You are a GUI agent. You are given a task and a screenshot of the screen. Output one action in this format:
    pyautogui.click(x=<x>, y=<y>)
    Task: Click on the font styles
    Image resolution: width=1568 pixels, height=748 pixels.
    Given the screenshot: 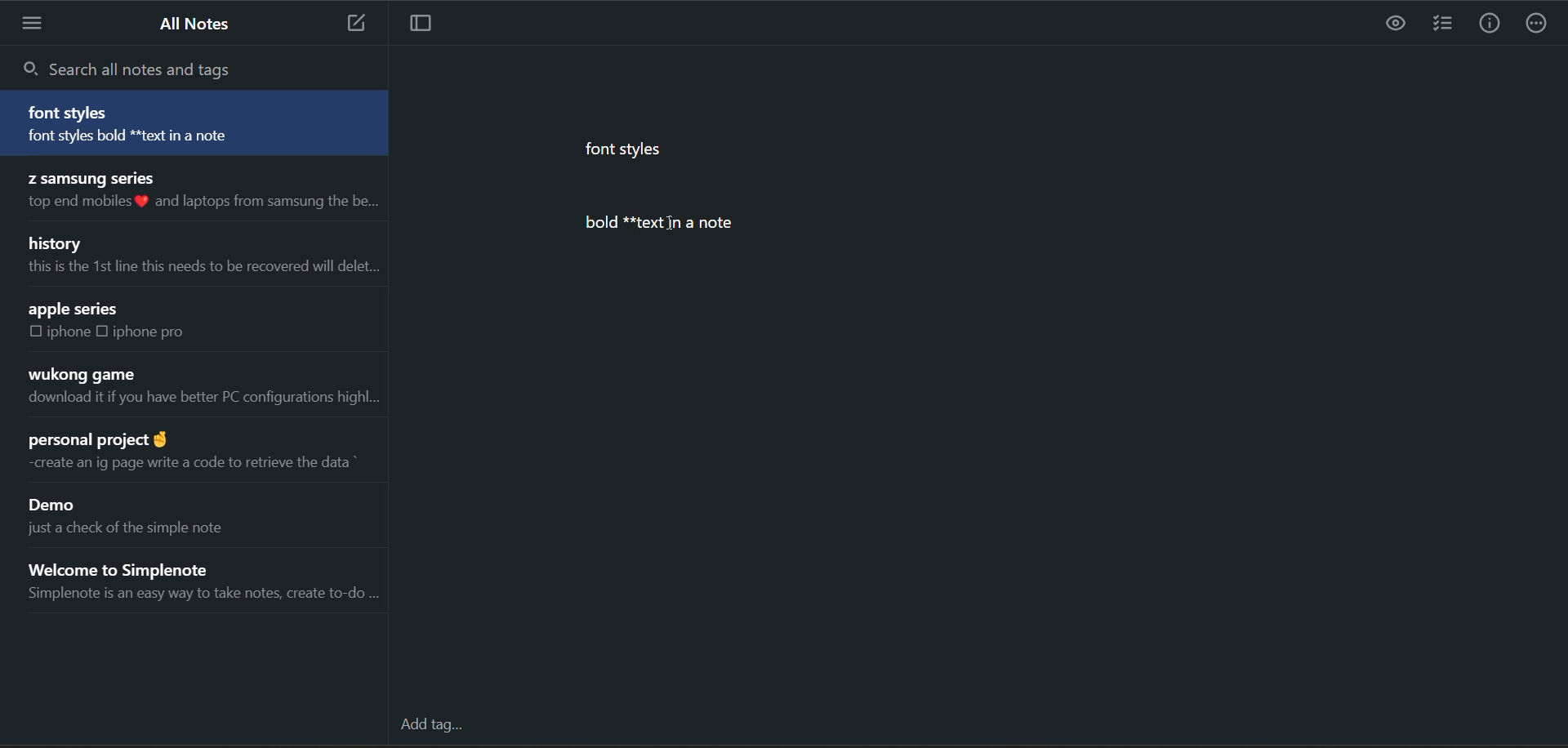 What is the action you would take?
    pyautogui.click(x=633, y=152)
    